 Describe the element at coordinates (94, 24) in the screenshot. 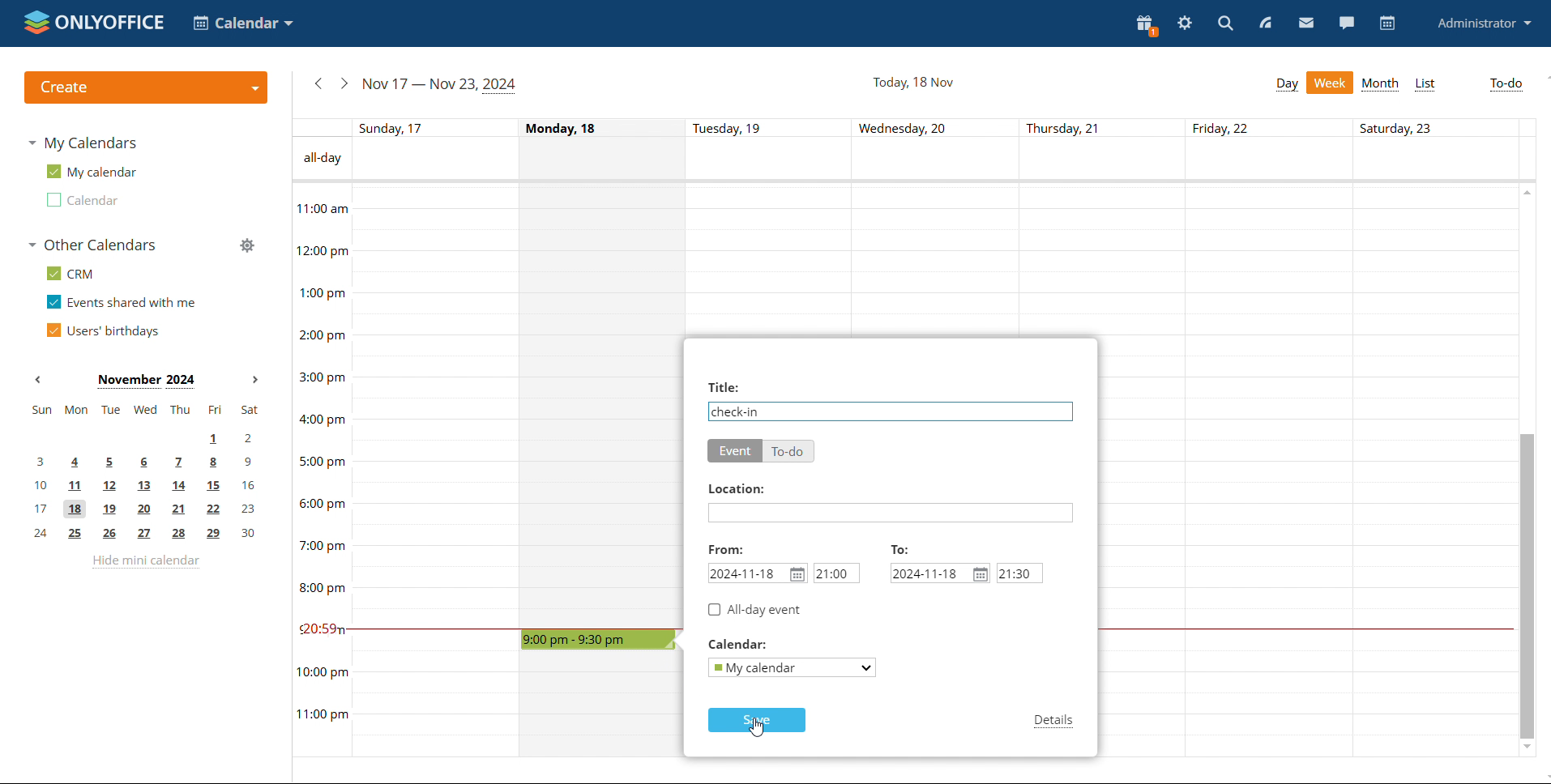

I see `logo` at that location.